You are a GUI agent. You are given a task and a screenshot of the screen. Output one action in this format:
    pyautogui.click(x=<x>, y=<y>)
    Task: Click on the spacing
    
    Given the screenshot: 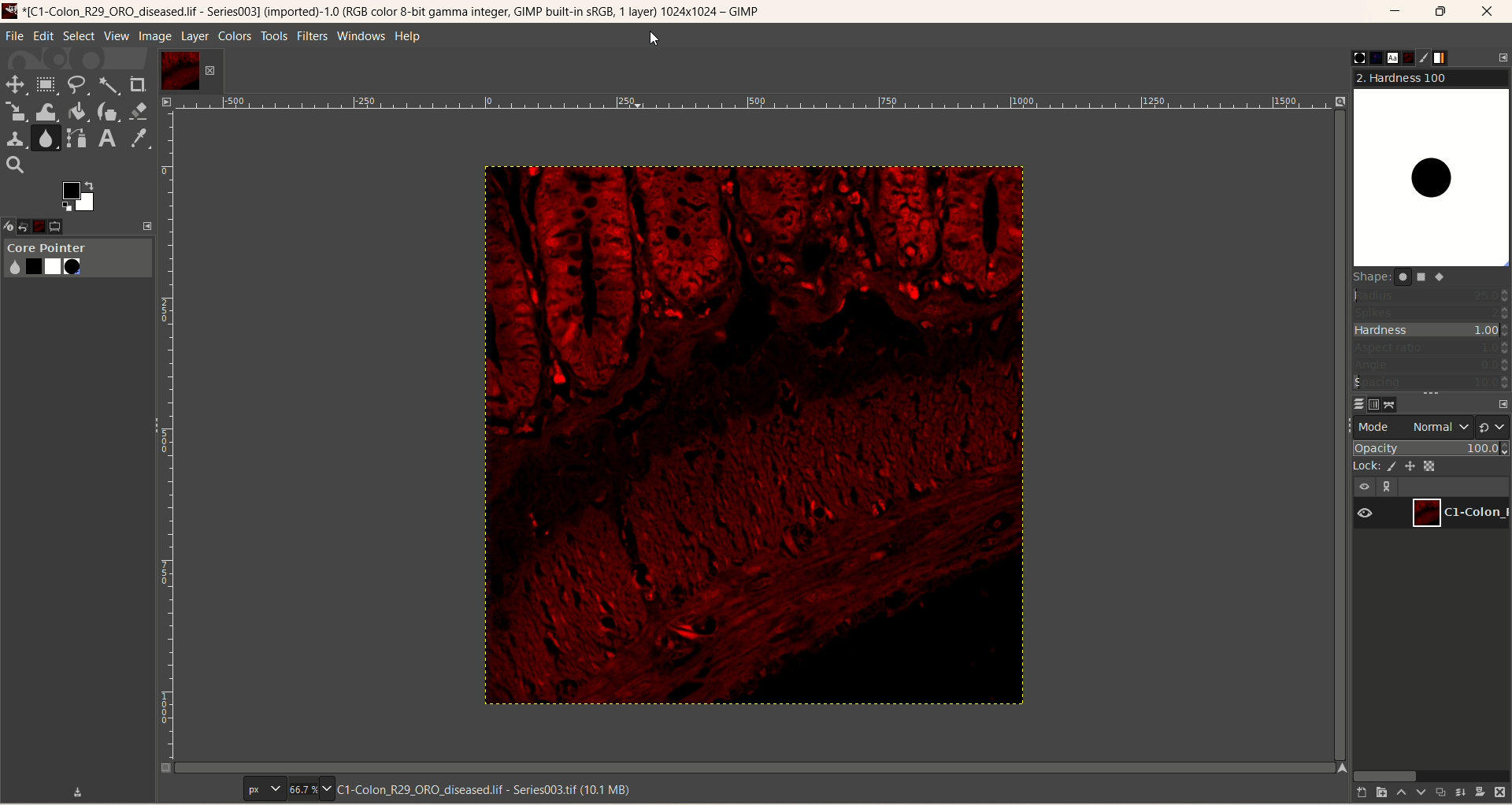 What is the action you would take?
    pyautogui.click(x=1432, y=383)
    